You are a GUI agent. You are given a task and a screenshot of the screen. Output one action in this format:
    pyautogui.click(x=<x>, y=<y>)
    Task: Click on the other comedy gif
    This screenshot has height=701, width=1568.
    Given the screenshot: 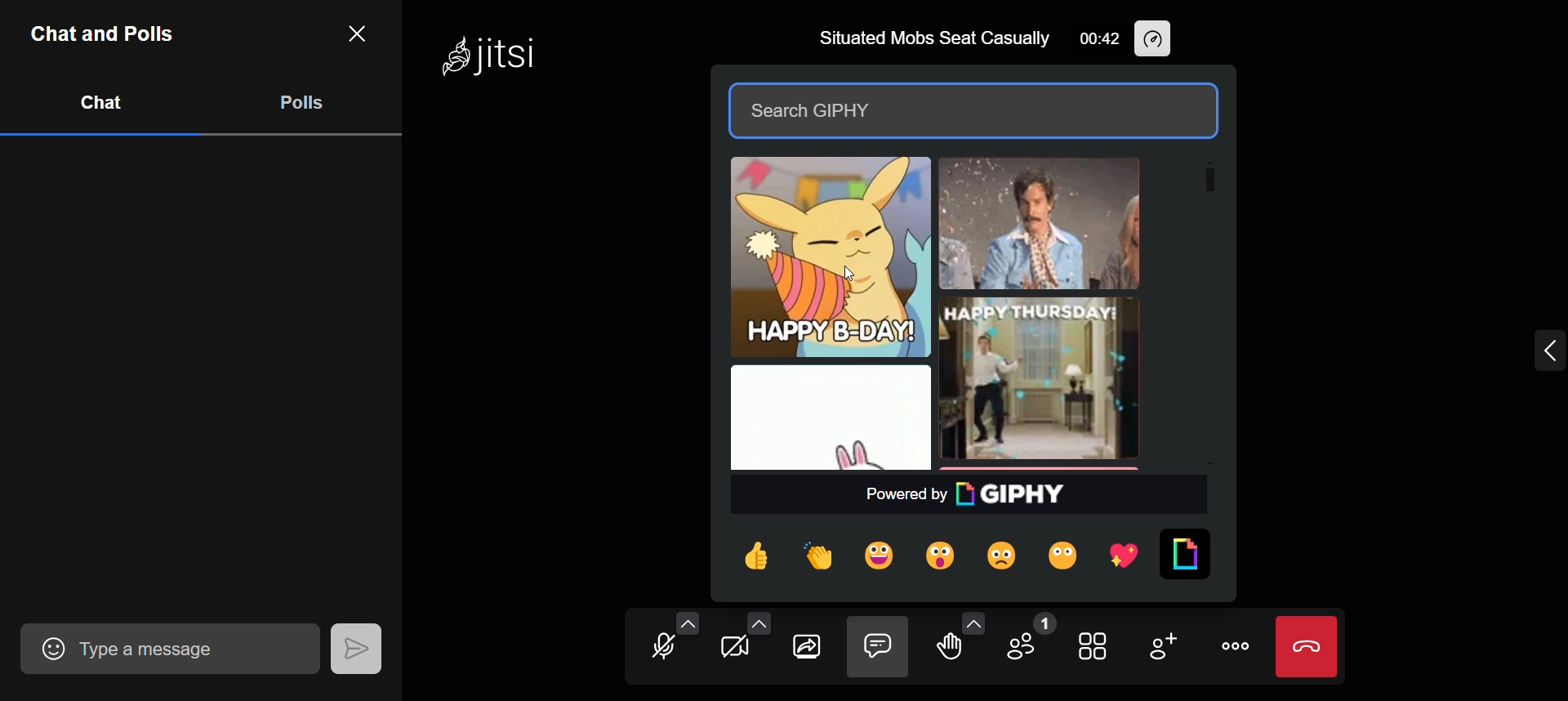 What is the action you would take?
    pyautogui.click(x=1045, y=221)
    